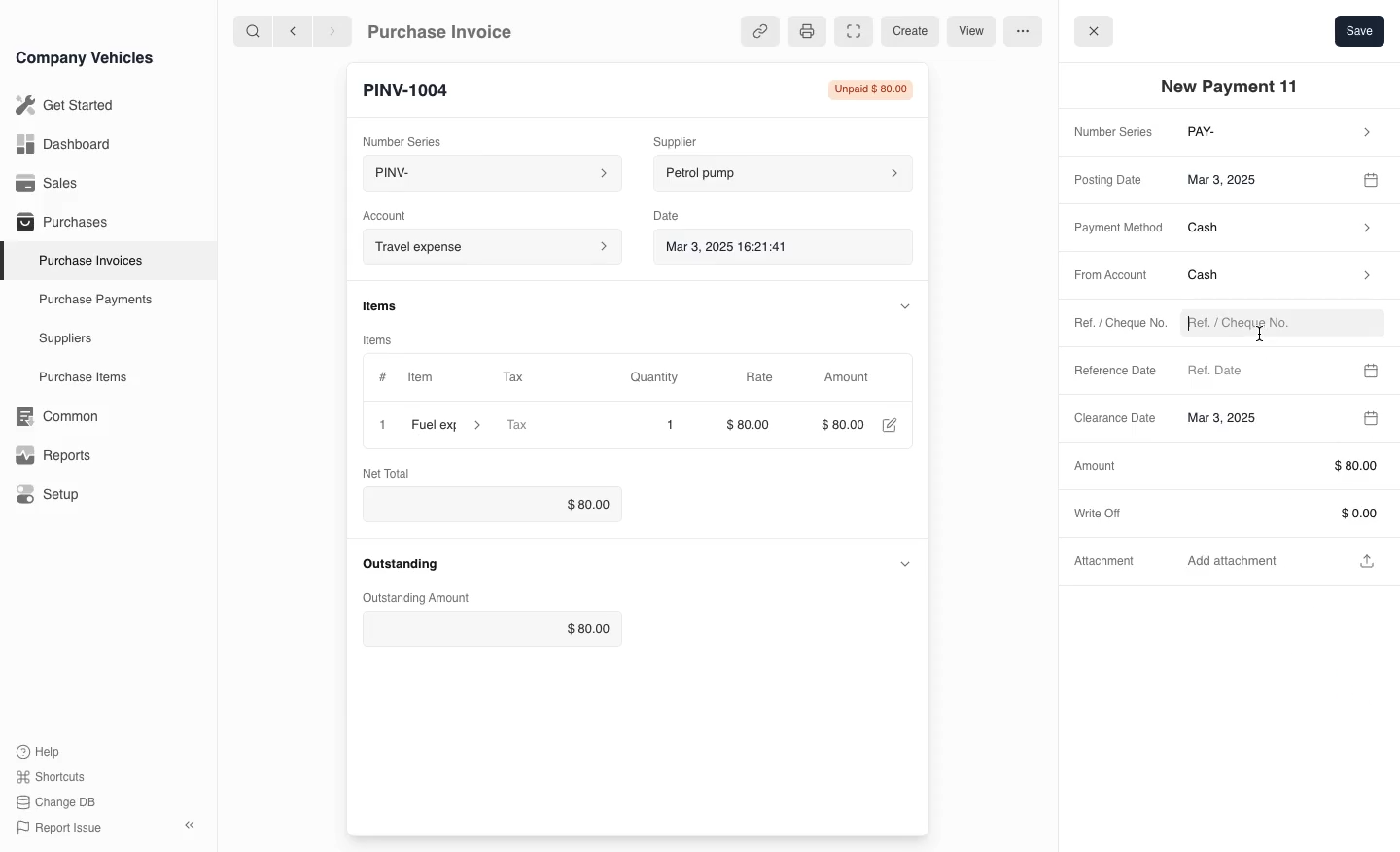 The height and width of the screenshot is (852, 1400). I want to click on previous, so click(291, 30).